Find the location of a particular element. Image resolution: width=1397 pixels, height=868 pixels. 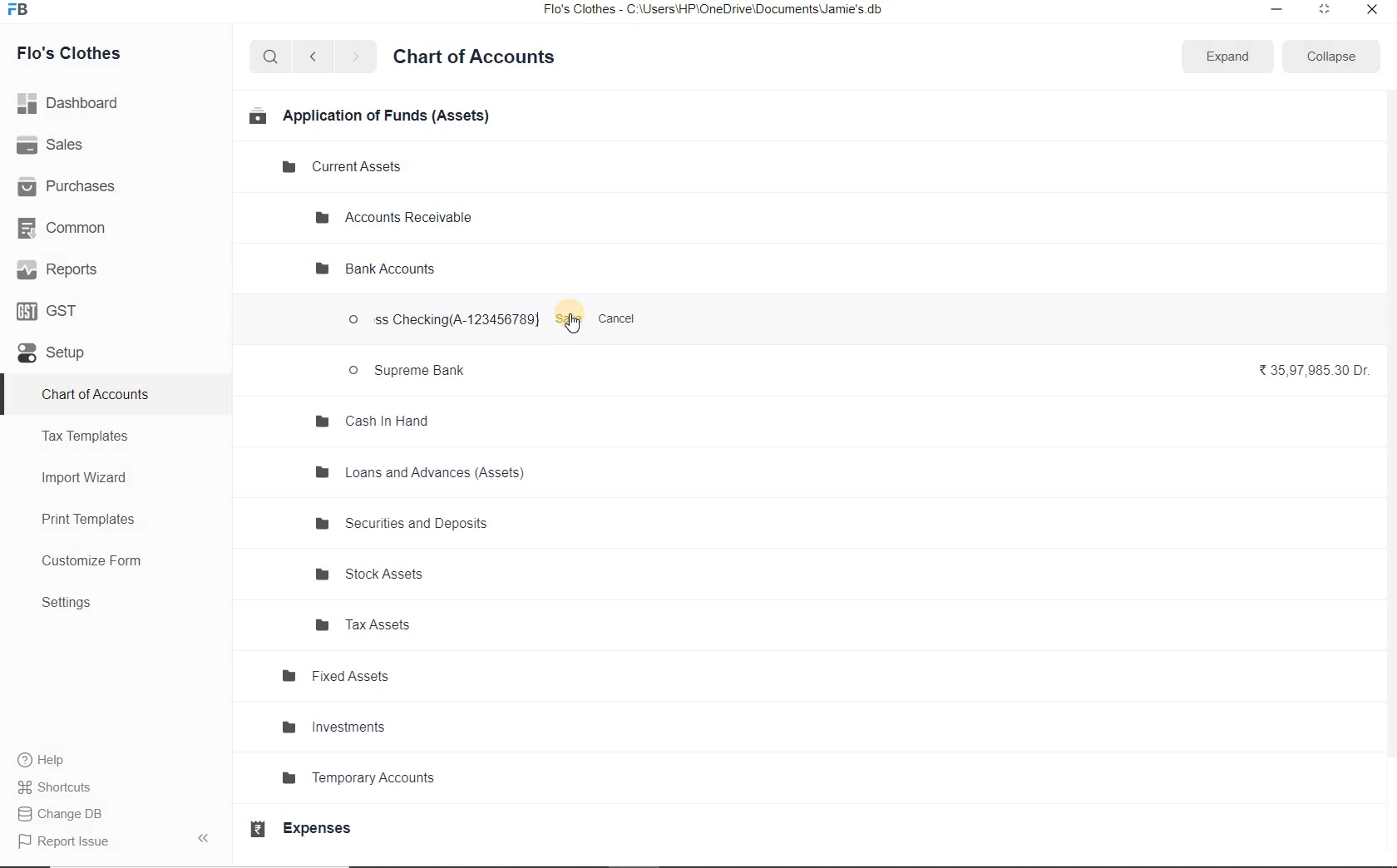

Change DB is located at coordinates (62, 812).